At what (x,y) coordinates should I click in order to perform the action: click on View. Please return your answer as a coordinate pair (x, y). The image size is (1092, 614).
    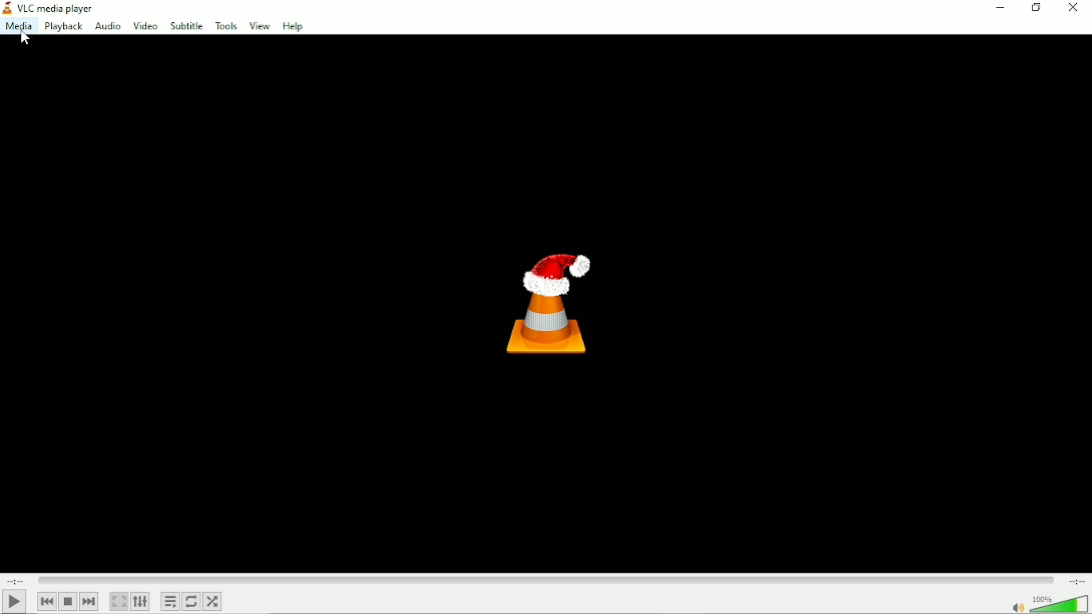
    Looking at the image, I should click on (259, 24).